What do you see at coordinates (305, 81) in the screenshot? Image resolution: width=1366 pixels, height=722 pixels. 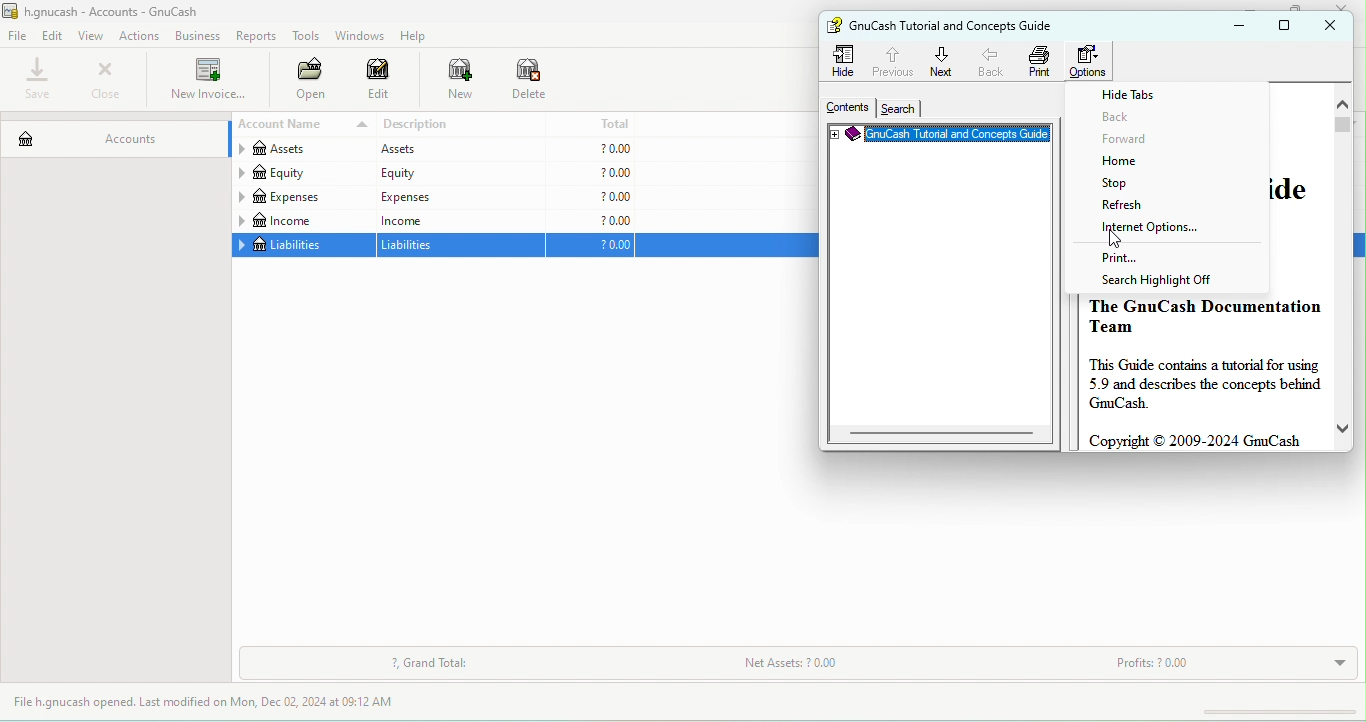 I see `open` at bounding box center [305, 81].